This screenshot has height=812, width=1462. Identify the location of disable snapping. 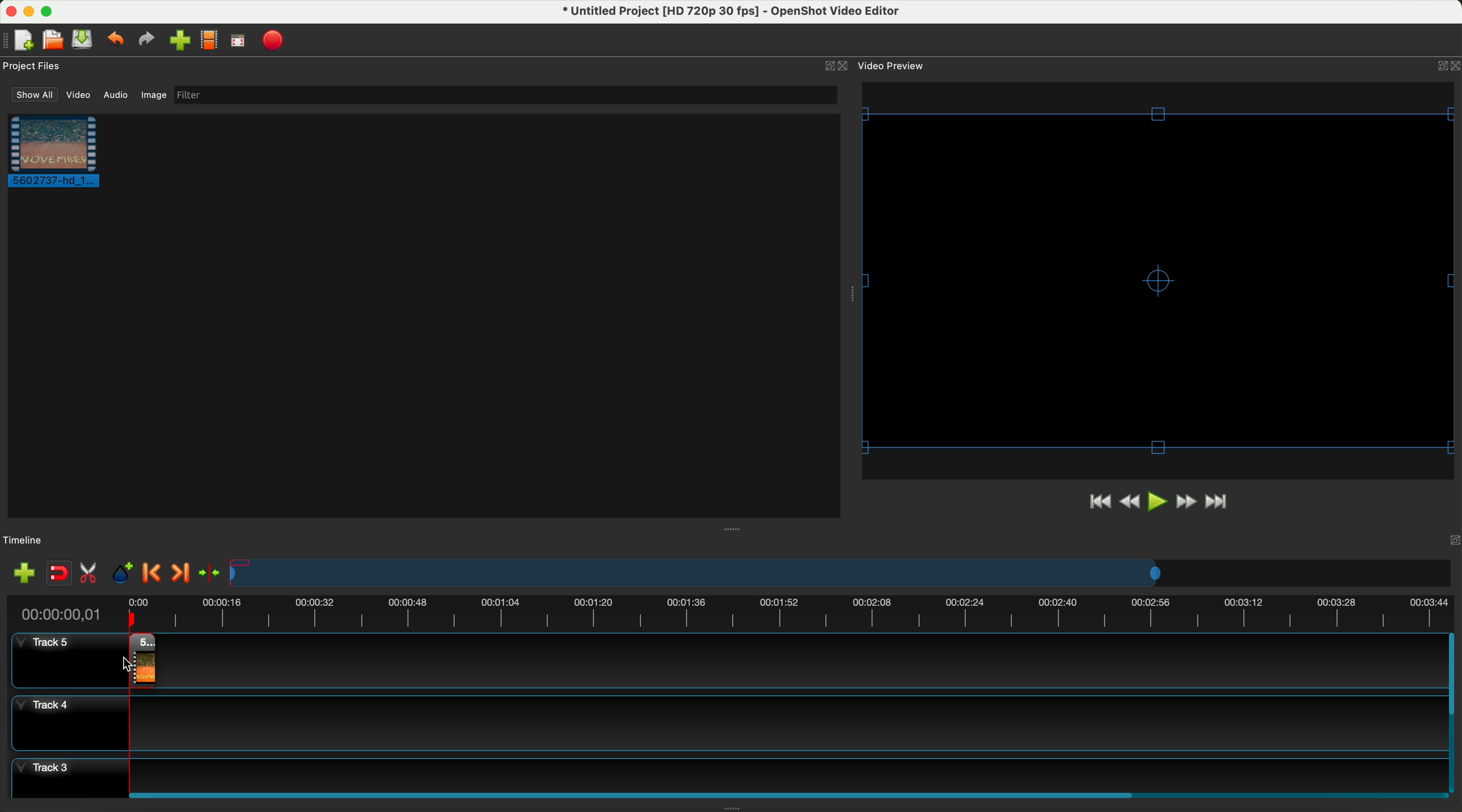
(60, 574).